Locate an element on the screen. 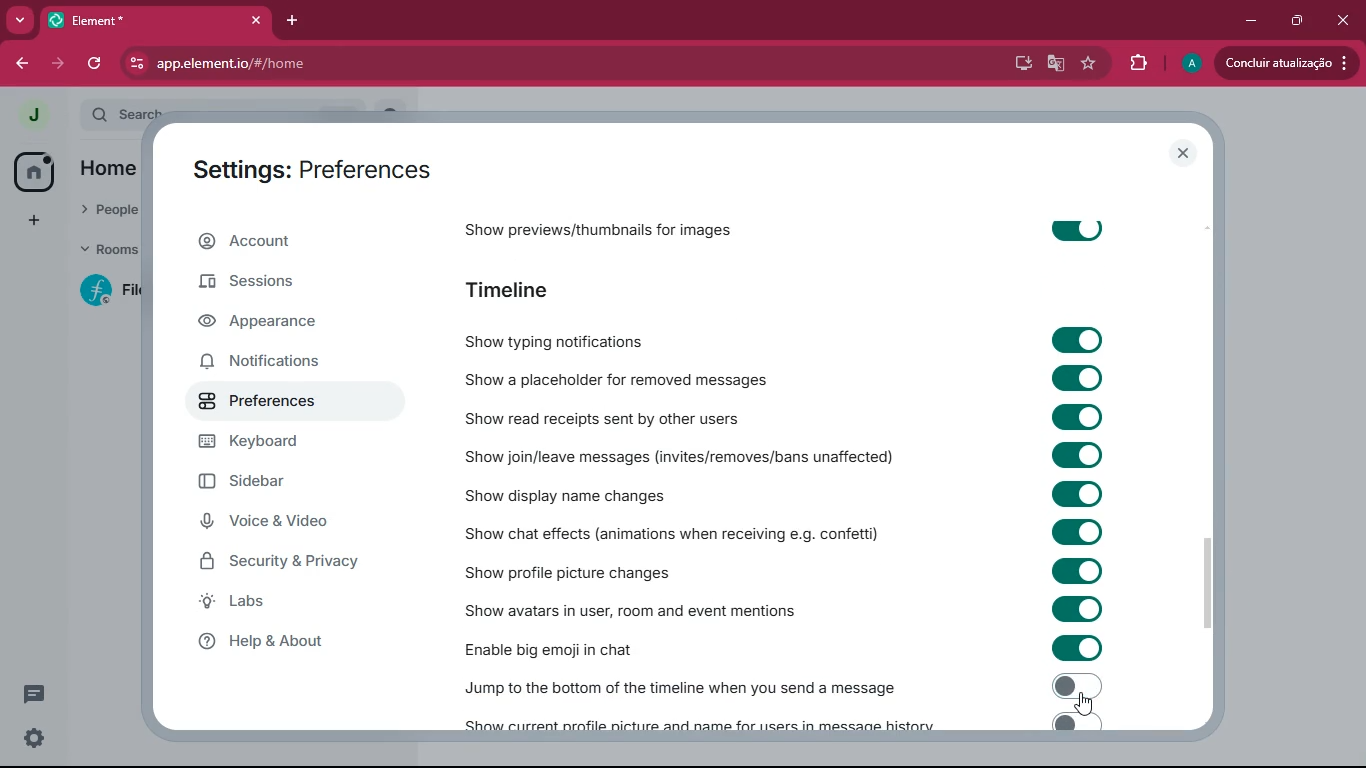  element* is located at coordinates (131, 20).